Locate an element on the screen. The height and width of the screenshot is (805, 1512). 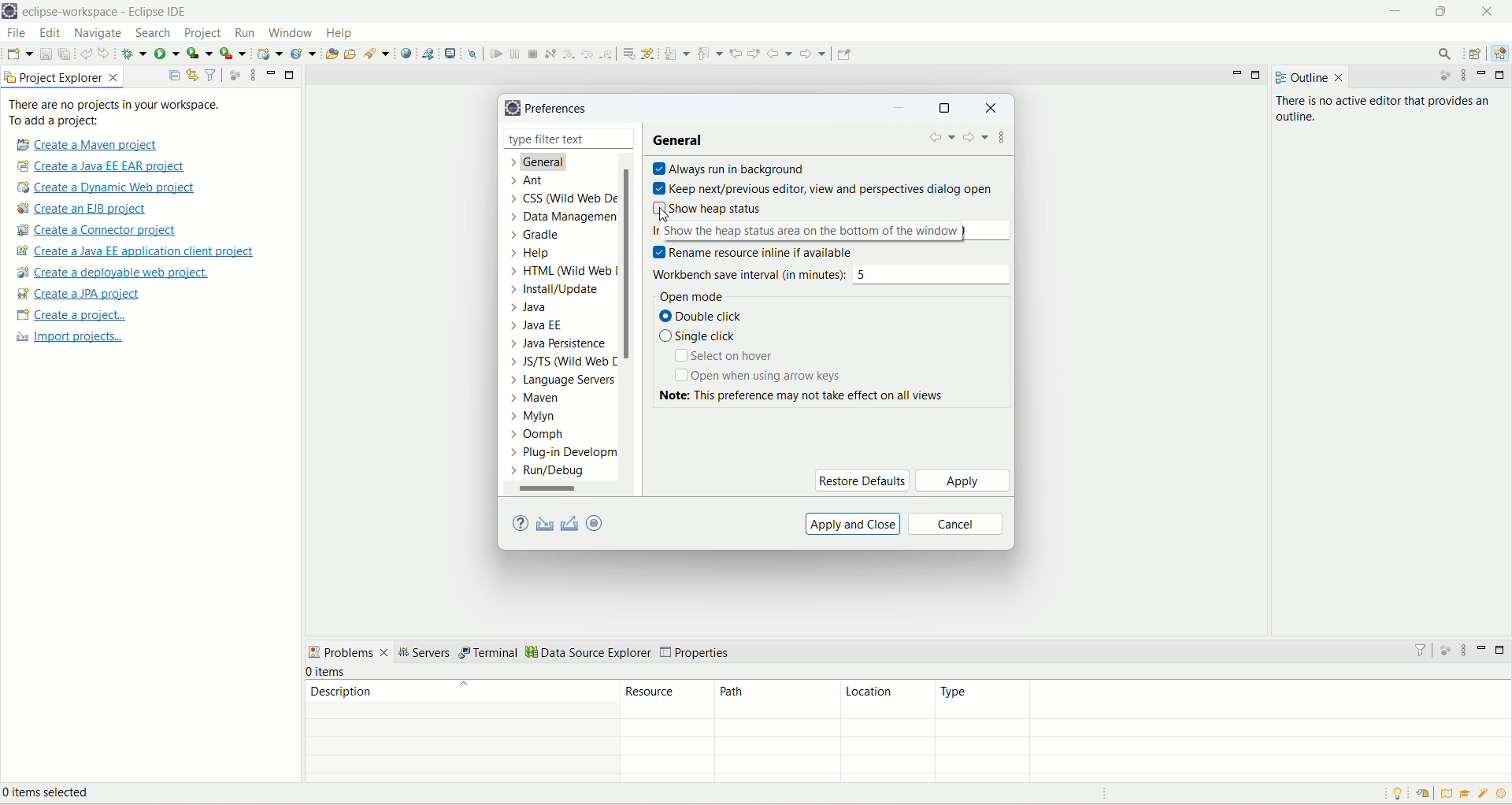
window is located at coordinates (290, 32).